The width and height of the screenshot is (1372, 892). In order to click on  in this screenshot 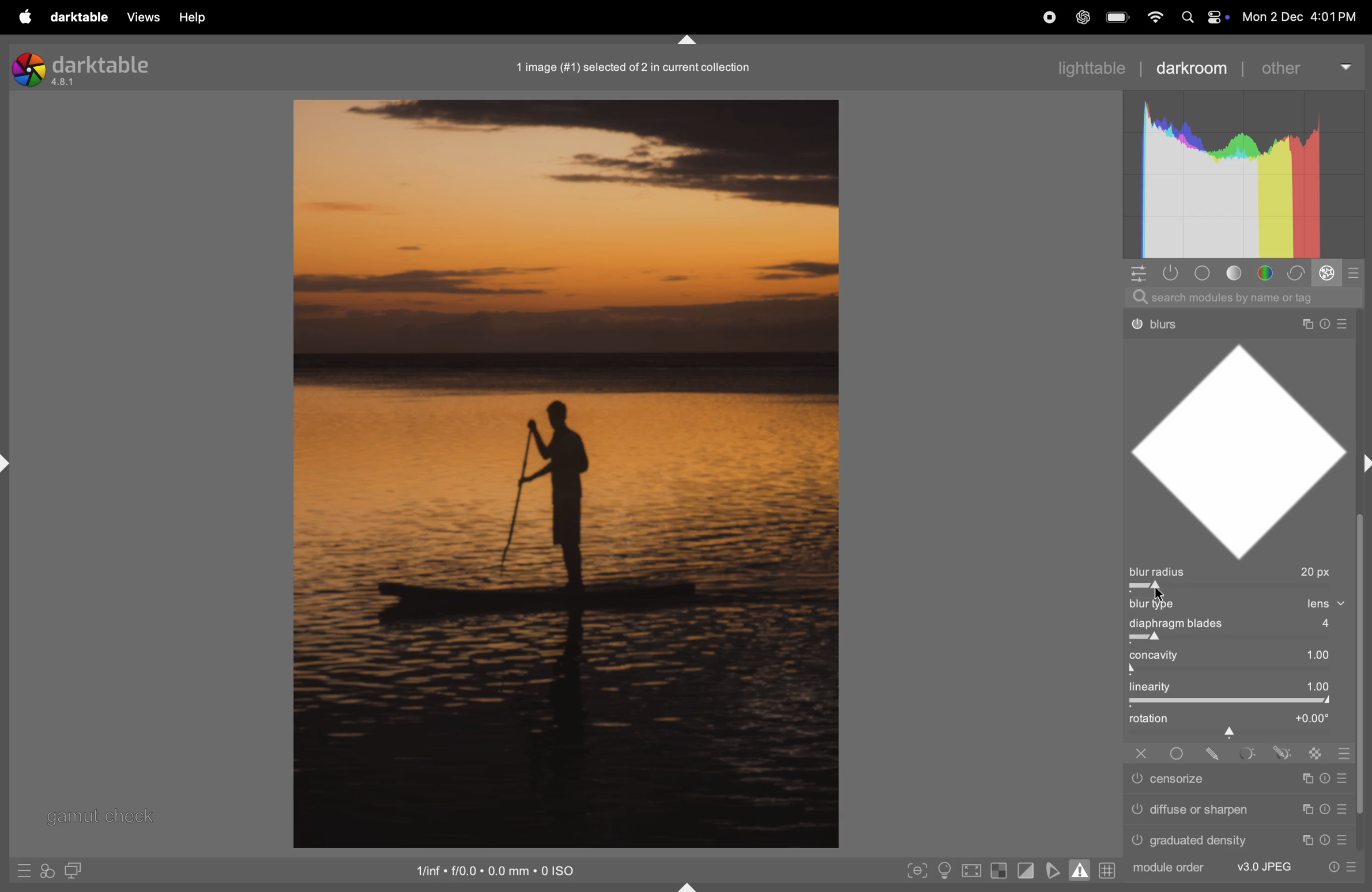, I will do `click(1213, 753)`.